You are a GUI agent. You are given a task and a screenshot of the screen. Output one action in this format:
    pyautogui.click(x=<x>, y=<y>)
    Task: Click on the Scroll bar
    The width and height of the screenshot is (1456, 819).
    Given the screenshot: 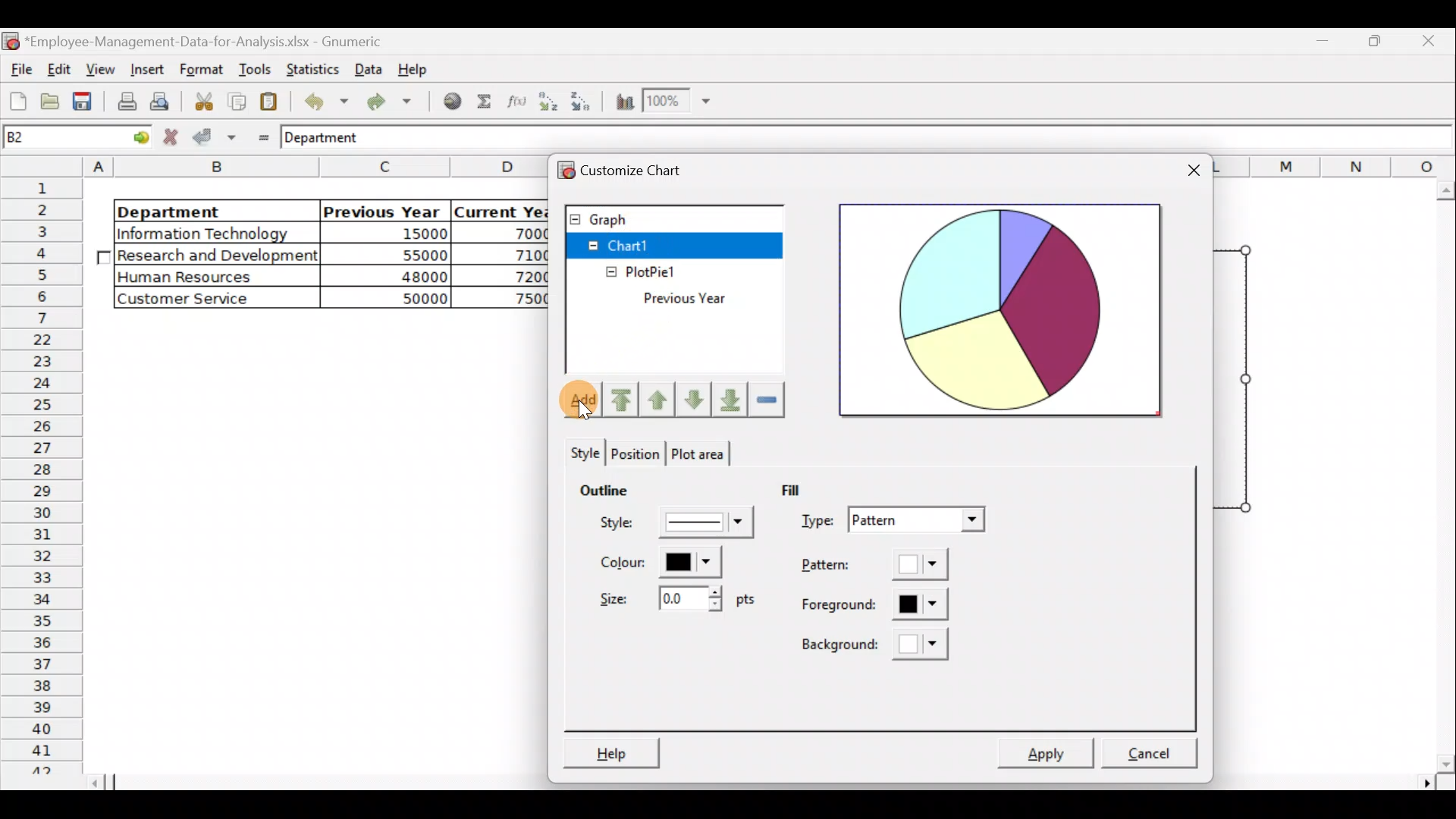 What is the action you would take?
    pyautogui.click(x=1442, y=477)
    